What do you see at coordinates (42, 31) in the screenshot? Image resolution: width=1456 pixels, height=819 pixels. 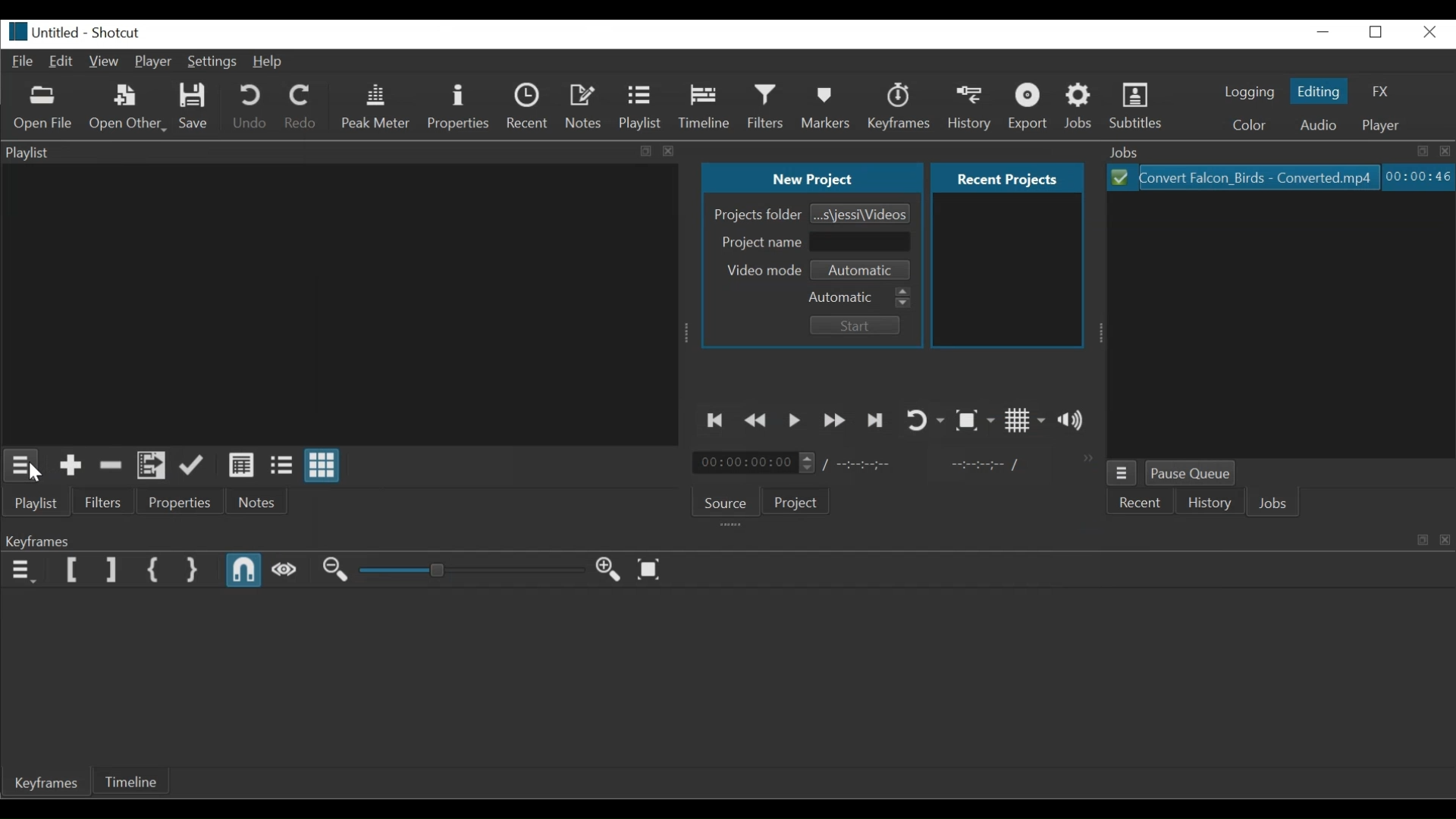 I see `File name` at bounding box center [42, 31].